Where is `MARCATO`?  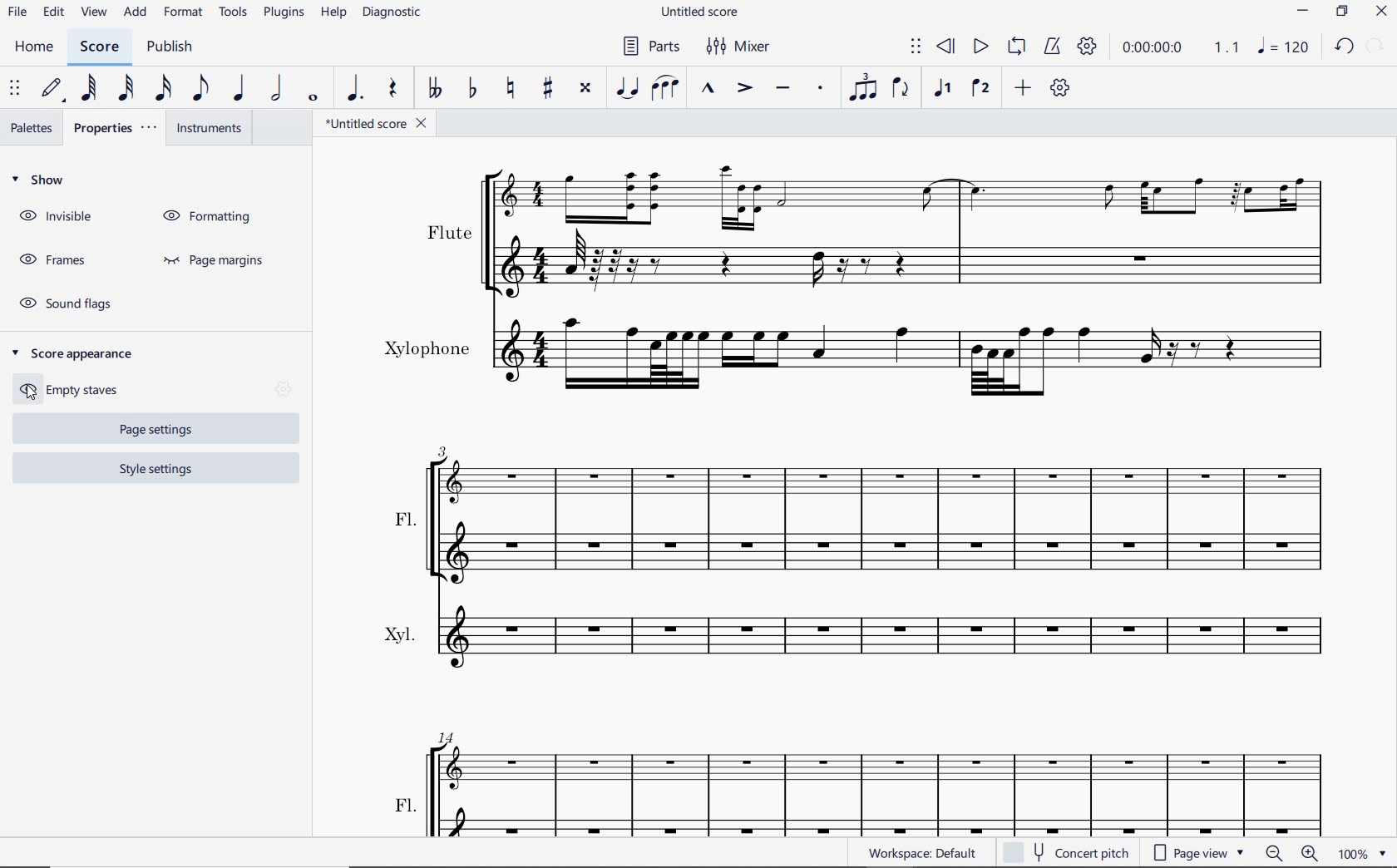 MARCATO is located at coordinates (708, 89).